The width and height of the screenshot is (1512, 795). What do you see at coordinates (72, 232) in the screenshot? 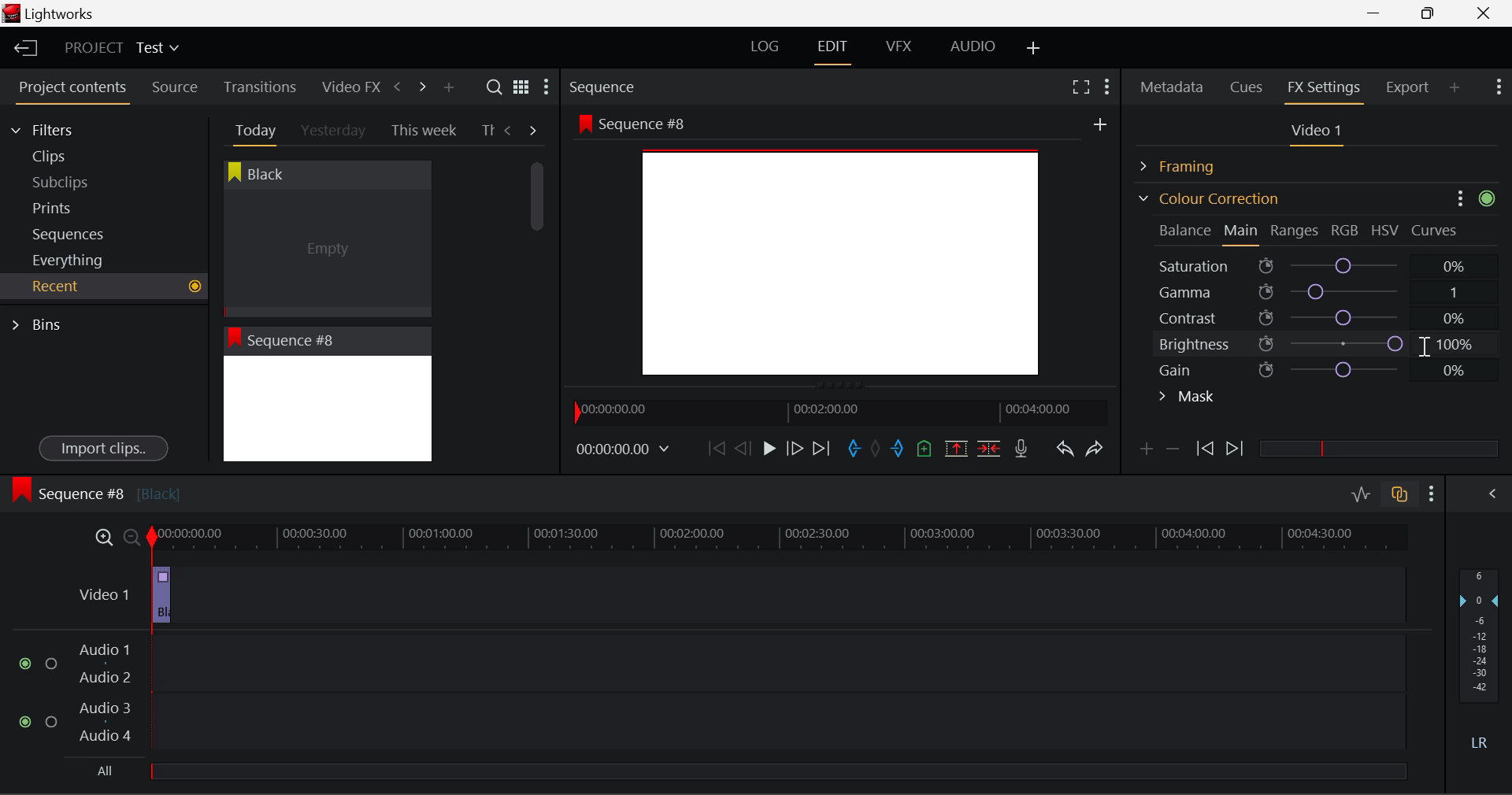
I see `Sequences` at bounding box center [72, 232].